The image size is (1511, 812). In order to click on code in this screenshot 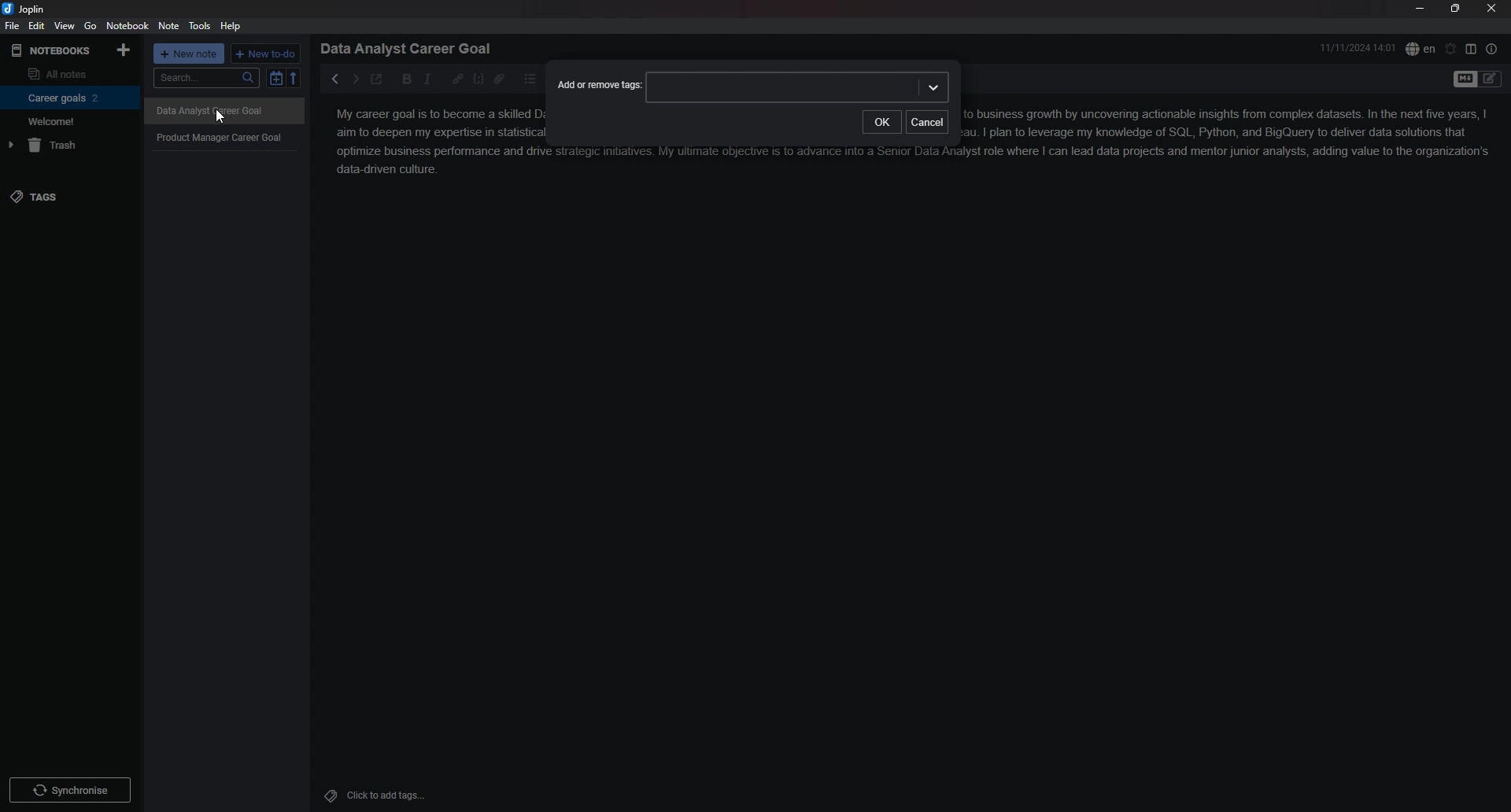, I will do `click(478, 79)`.